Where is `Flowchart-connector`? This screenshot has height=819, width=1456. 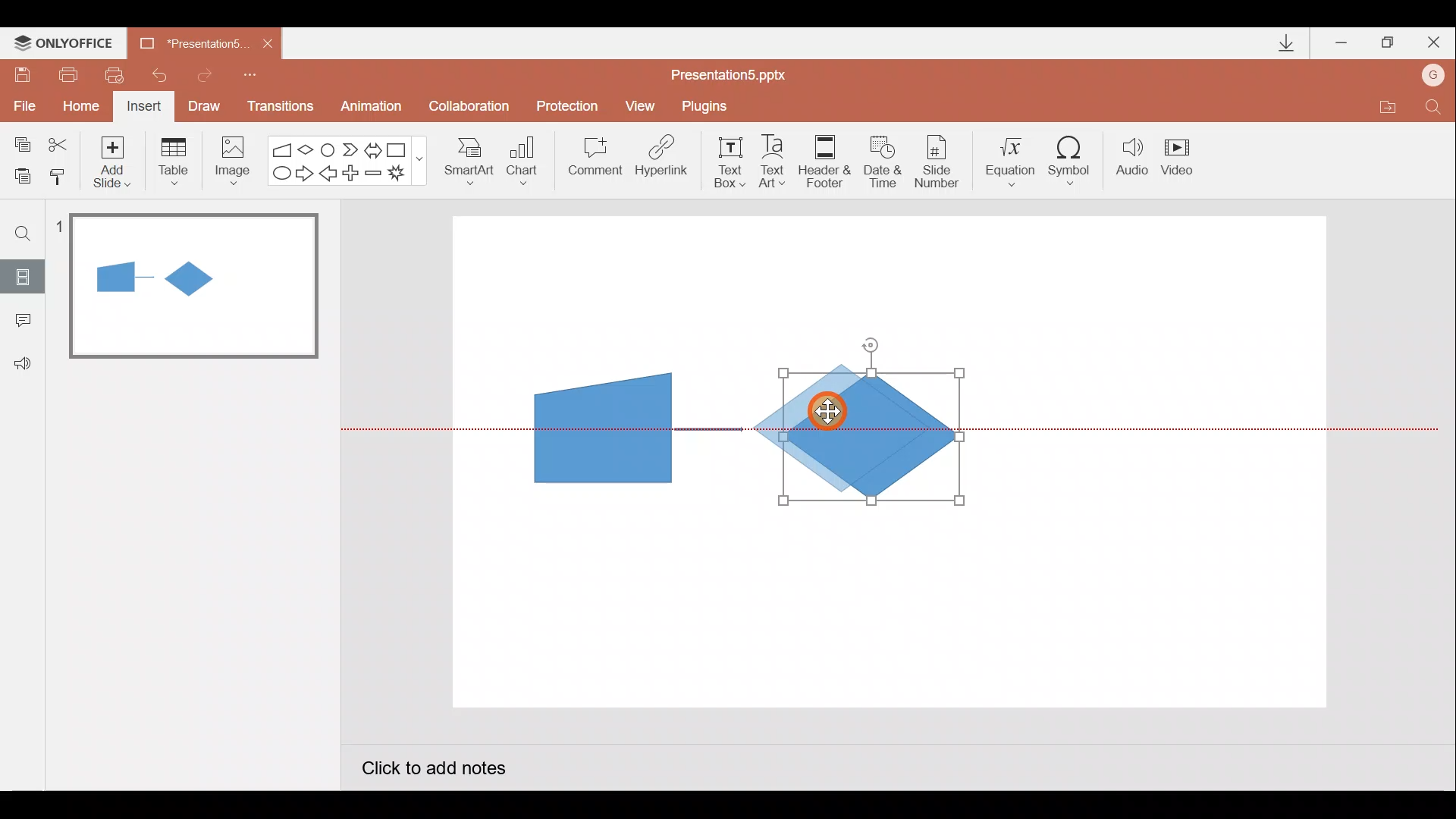
Flowchart-connector is located at coordinates (329, 149).